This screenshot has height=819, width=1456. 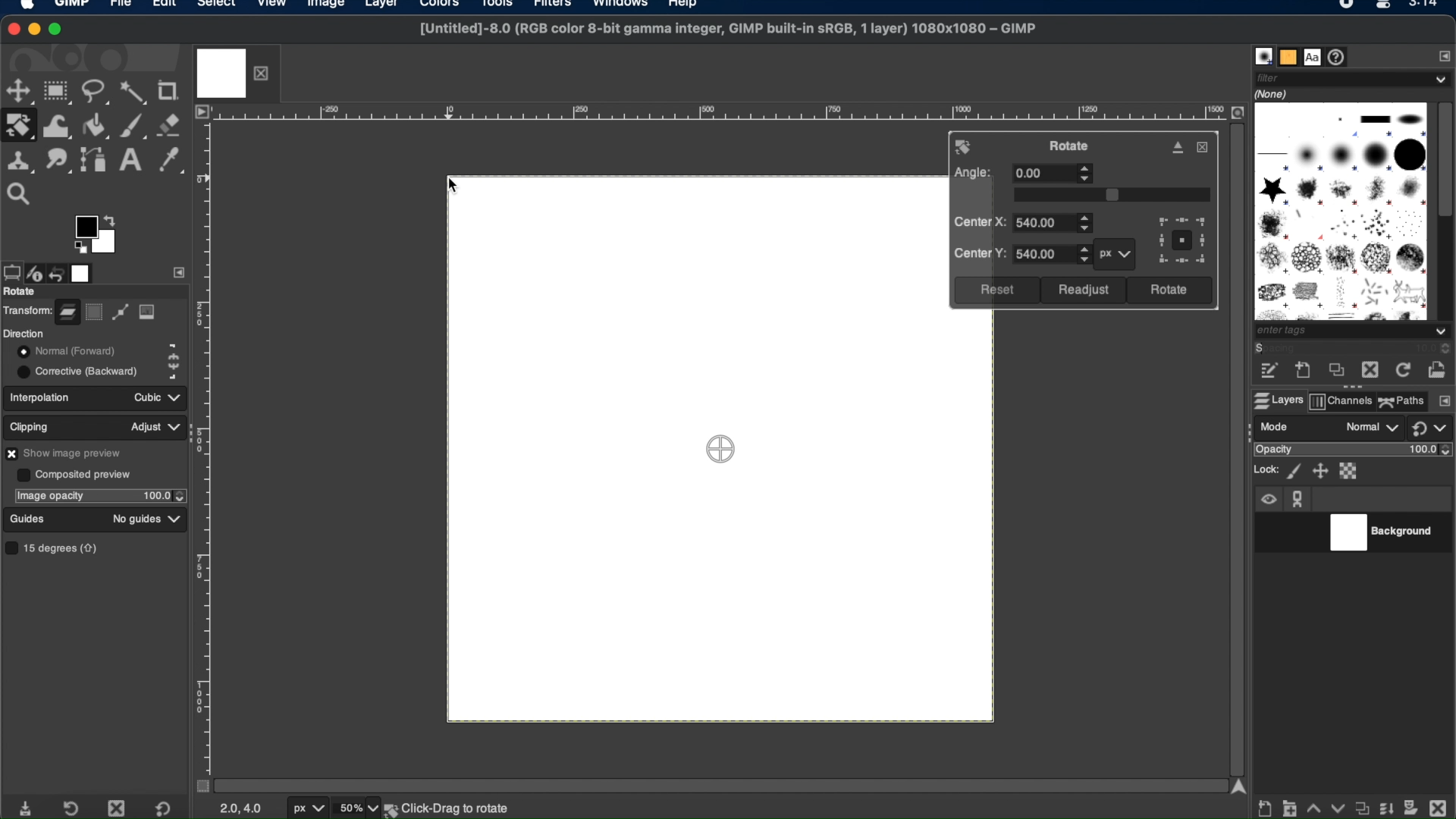 What do you see at coordinates (1370, 428) in the screenshot?
I see `normal drop down` at bounding box center [1370, 428].